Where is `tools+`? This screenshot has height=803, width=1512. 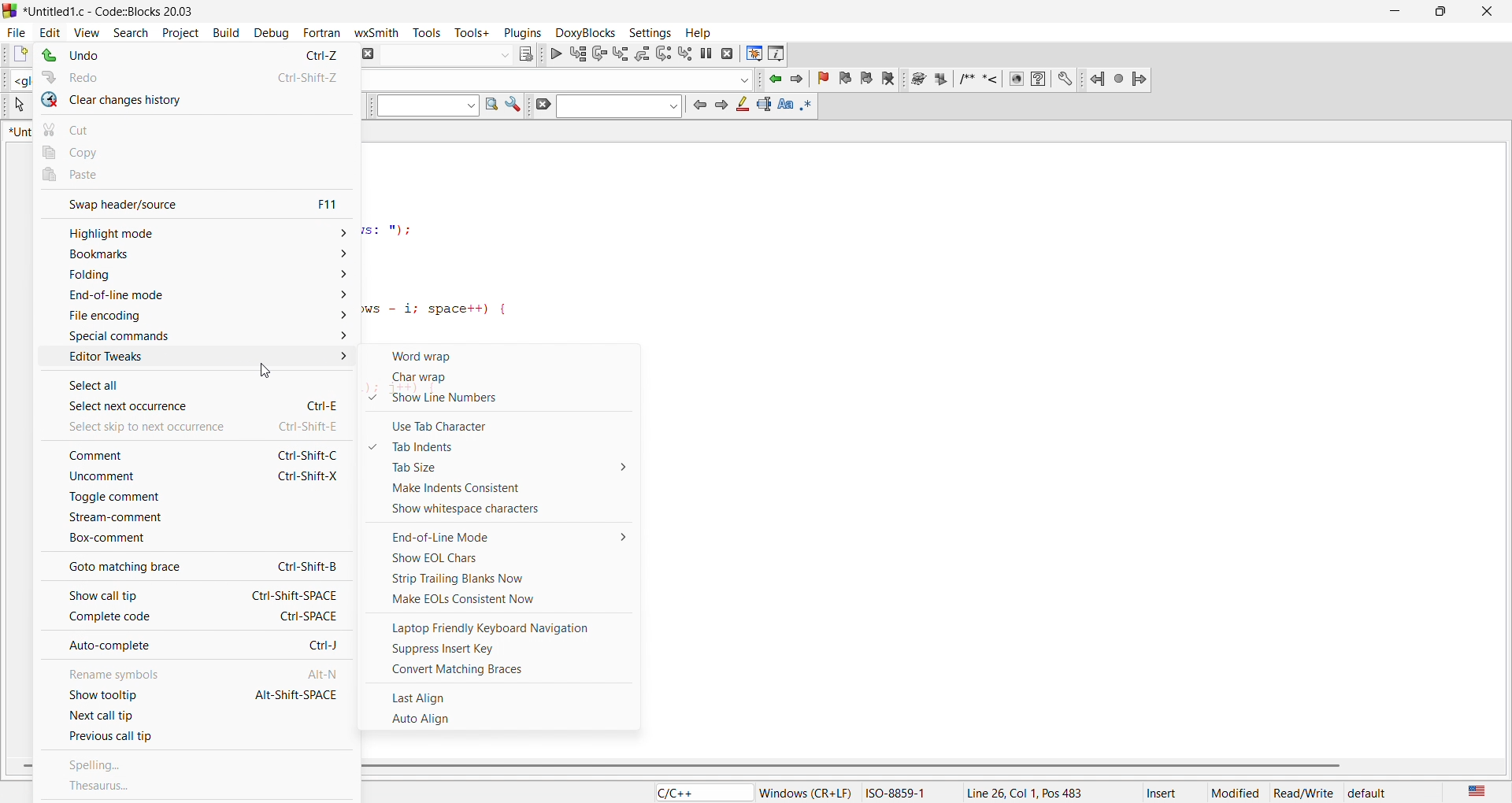 tools+ is located at coordinates (475, 35).